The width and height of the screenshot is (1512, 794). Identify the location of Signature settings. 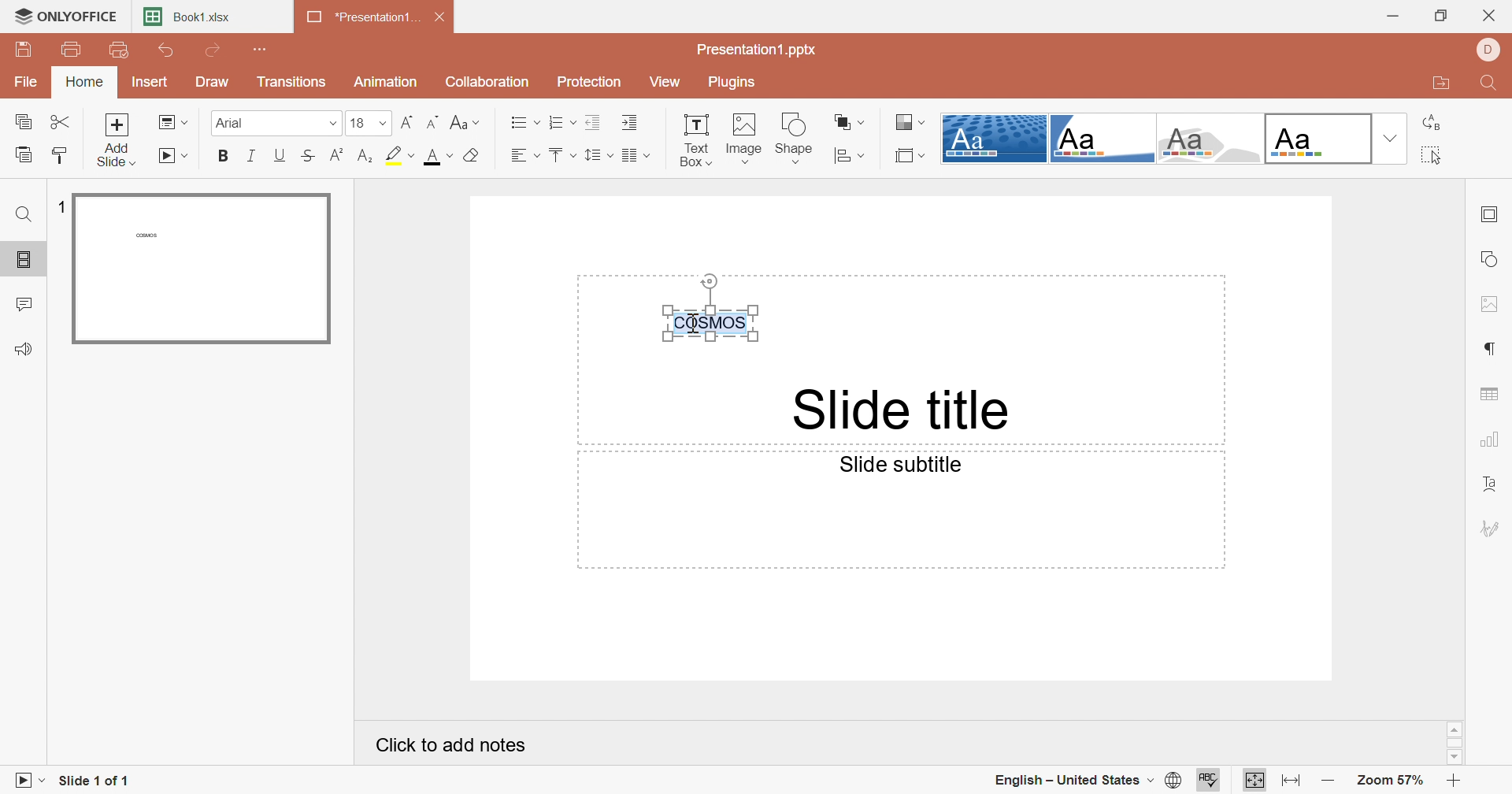
(1493, 530).